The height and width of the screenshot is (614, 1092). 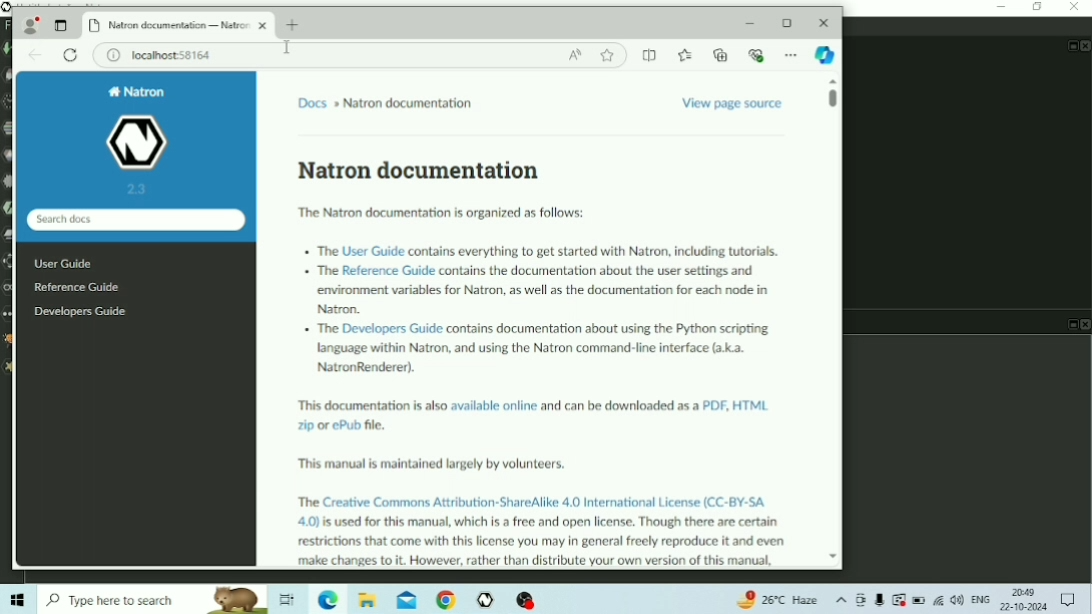 I want to click on Float Pane, so click(x=1069, y=324).